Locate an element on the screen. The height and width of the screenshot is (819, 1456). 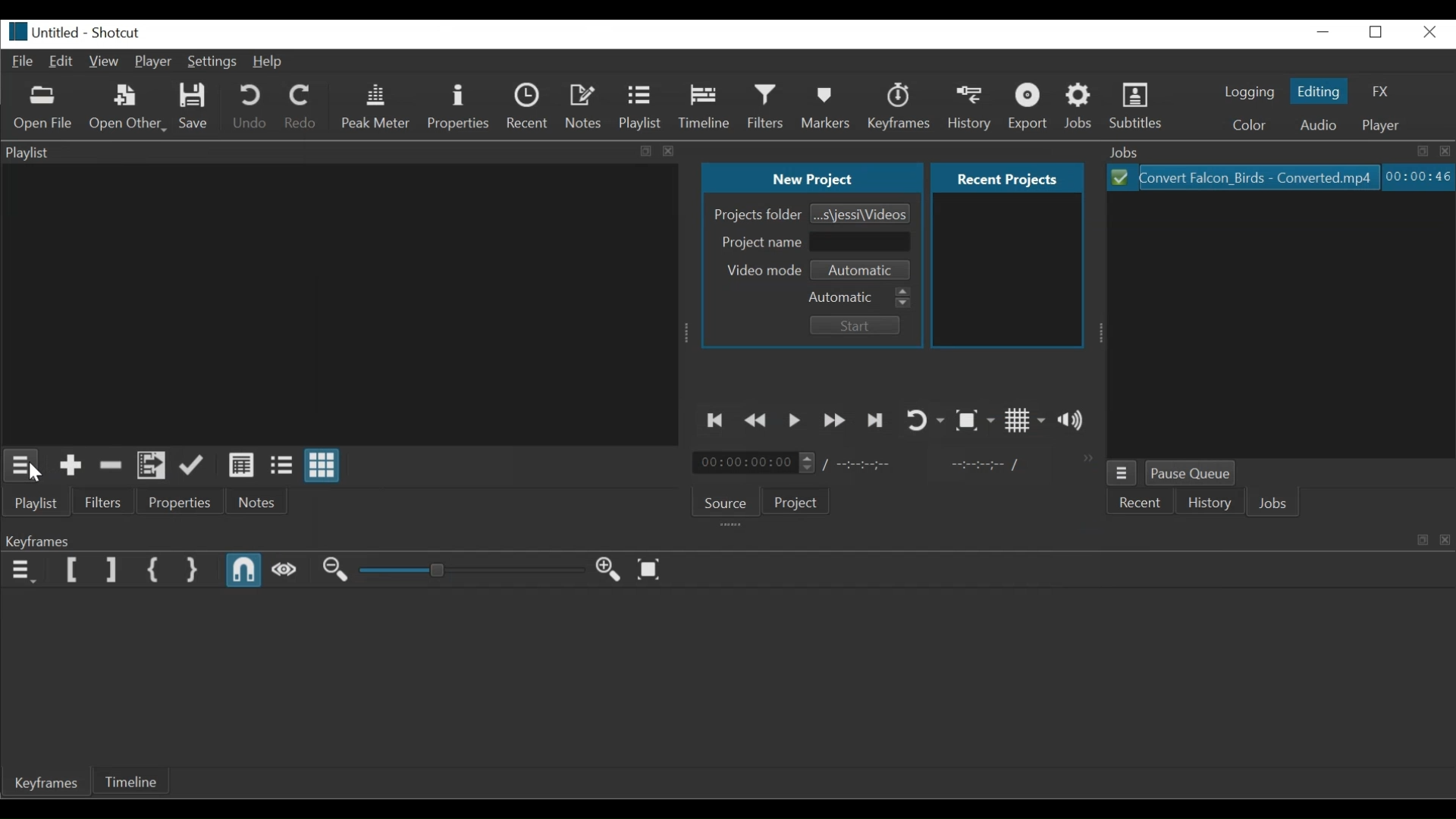
Settings is located at coordinates (212, 61).